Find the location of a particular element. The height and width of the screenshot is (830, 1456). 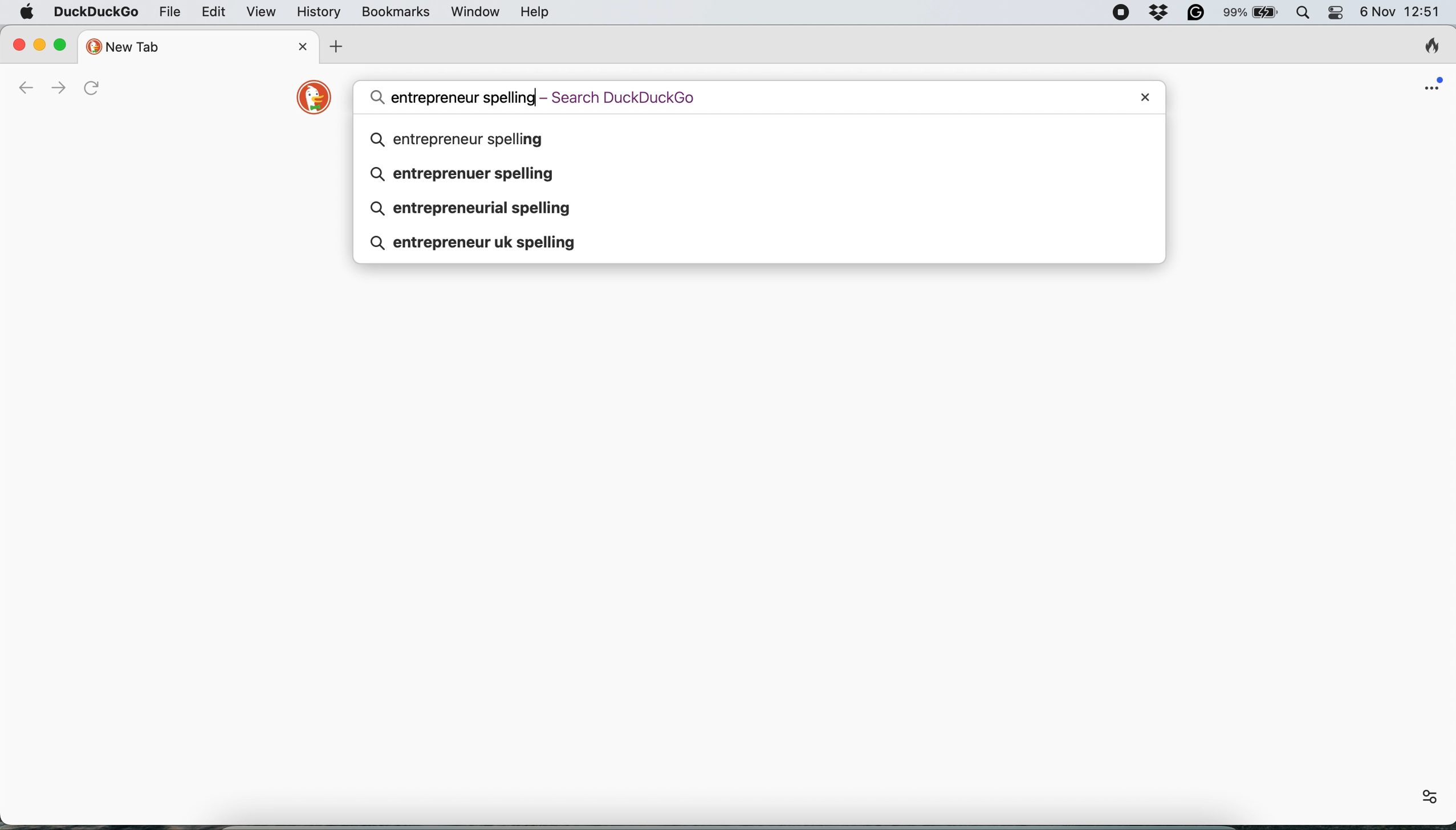

duckduckgo logo is located at coordinates (314, 99).